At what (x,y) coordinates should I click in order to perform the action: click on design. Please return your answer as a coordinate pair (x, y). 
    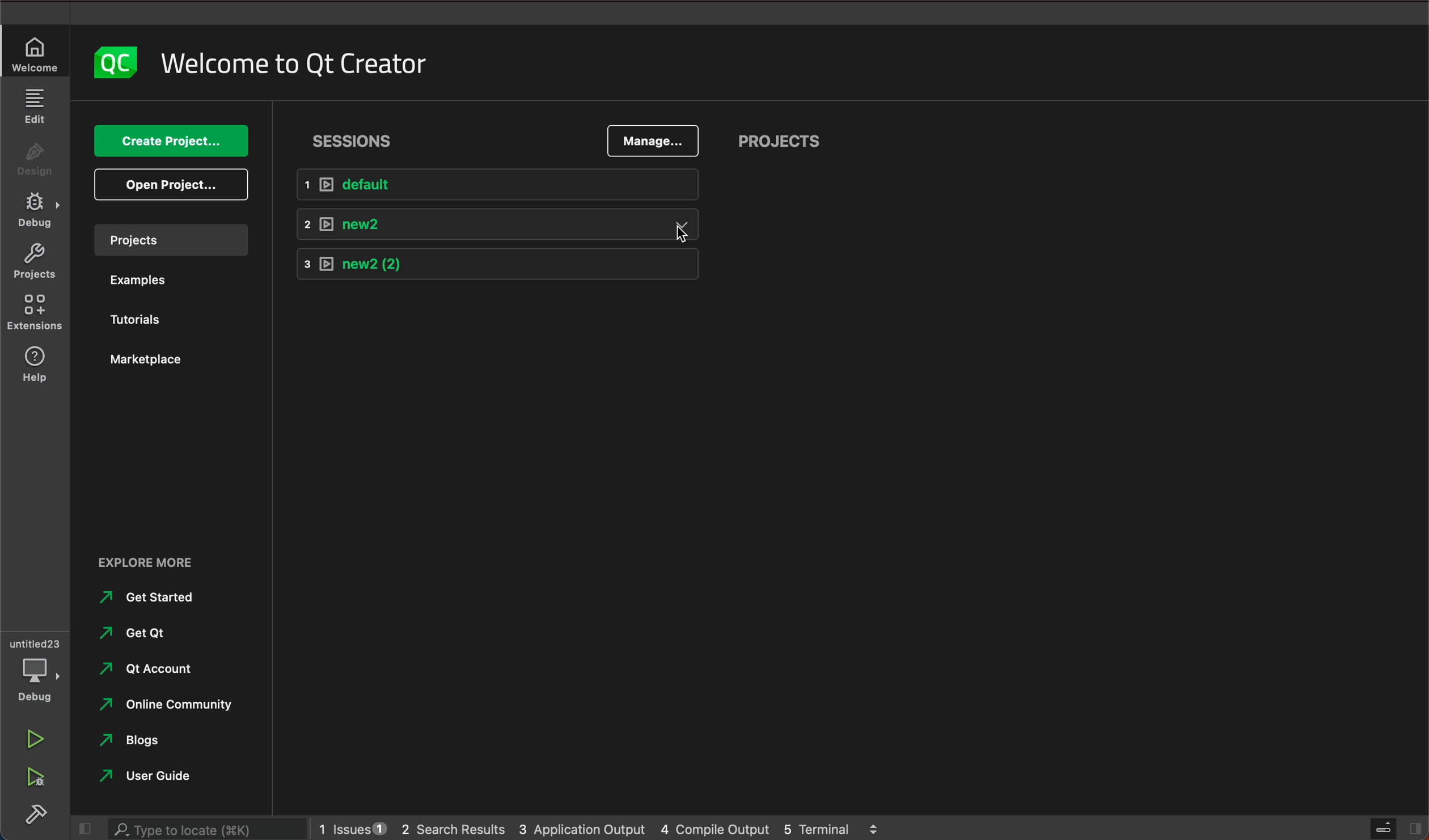
    Looking at the image, I should click on (35, 158).